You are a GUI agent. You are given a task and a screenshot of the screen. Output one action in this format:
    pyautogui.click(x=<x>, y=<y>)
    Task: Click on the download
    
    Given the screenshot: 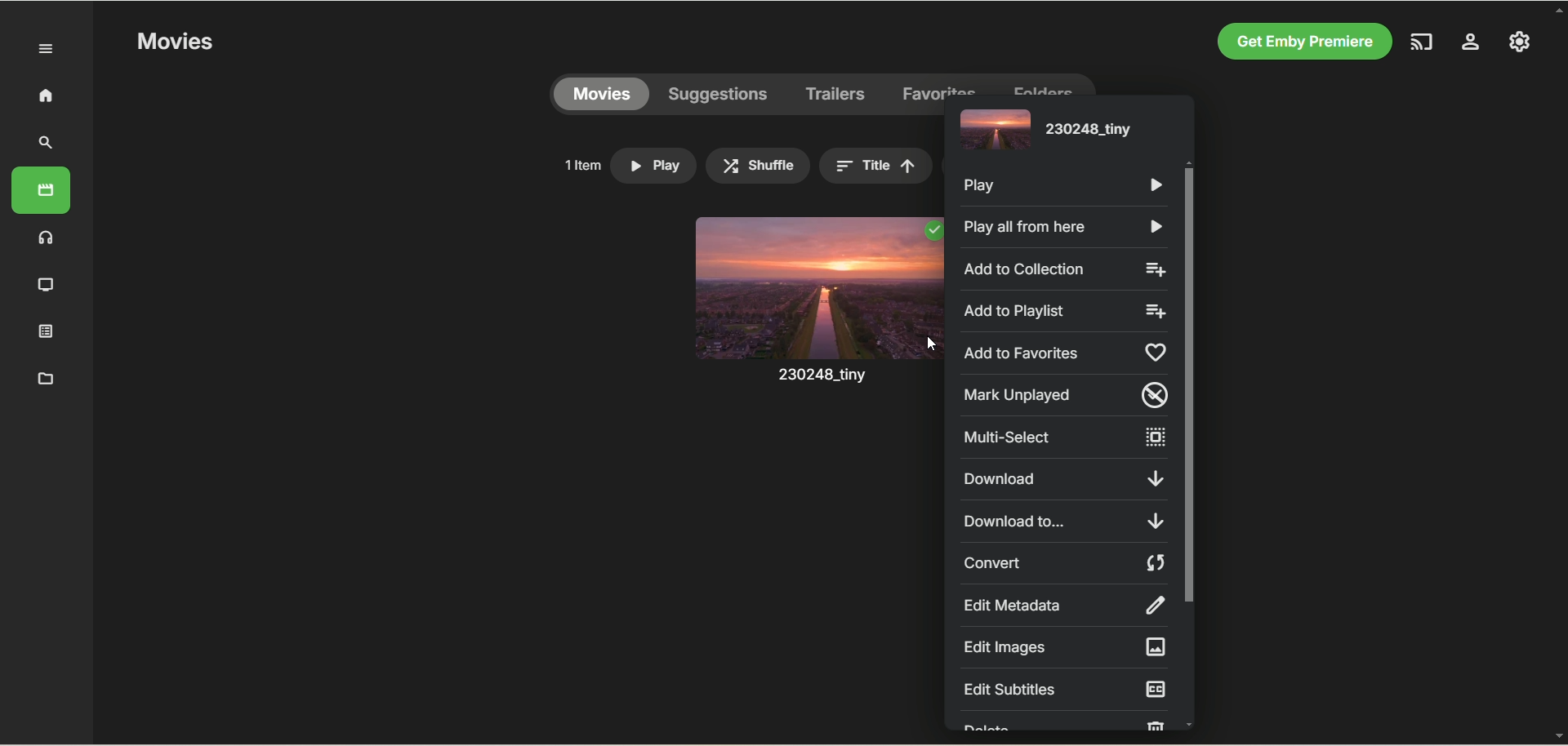 What is the action you would take?
    pyautogui.click(x=1062, y=479)
    